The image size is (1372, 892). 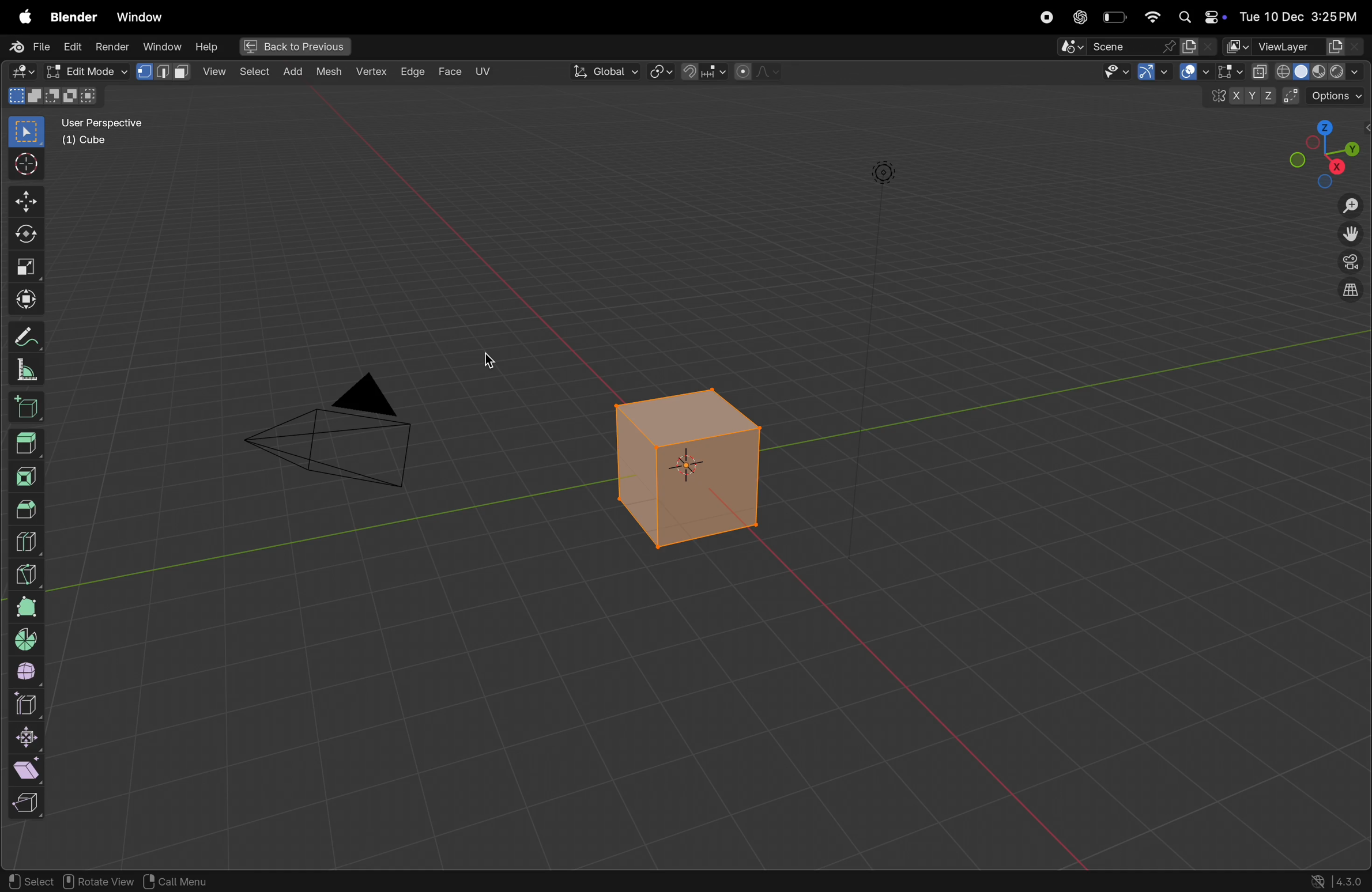 What do you see at coordinates (29, 475) in the screenshot?
I see `insert faces` at bounding box center [29, 475].